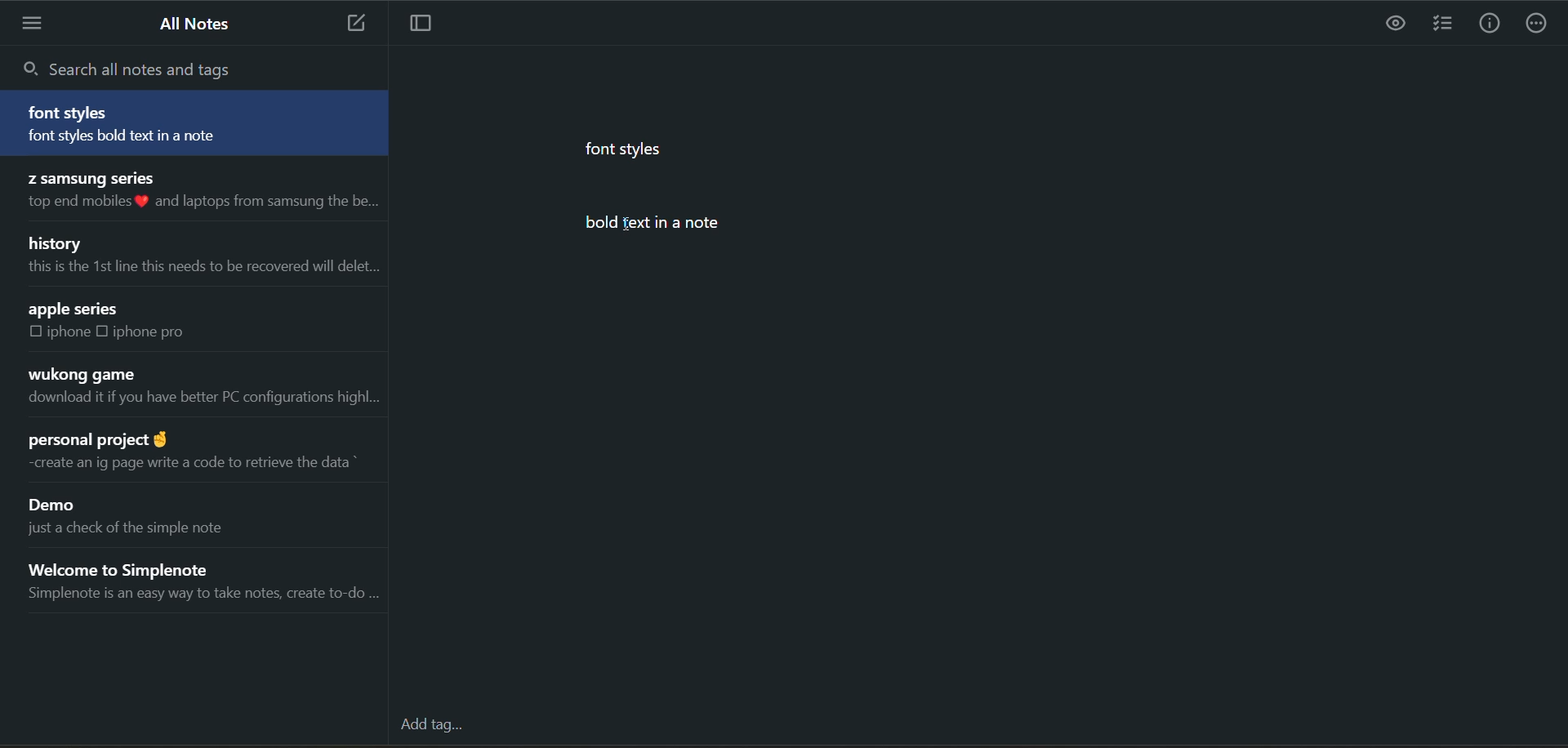  What do you see at coordinates (202, 401) in the screenshot?
I see `download it if you have better PC configurations highl...` at bounding box center [202, 401].